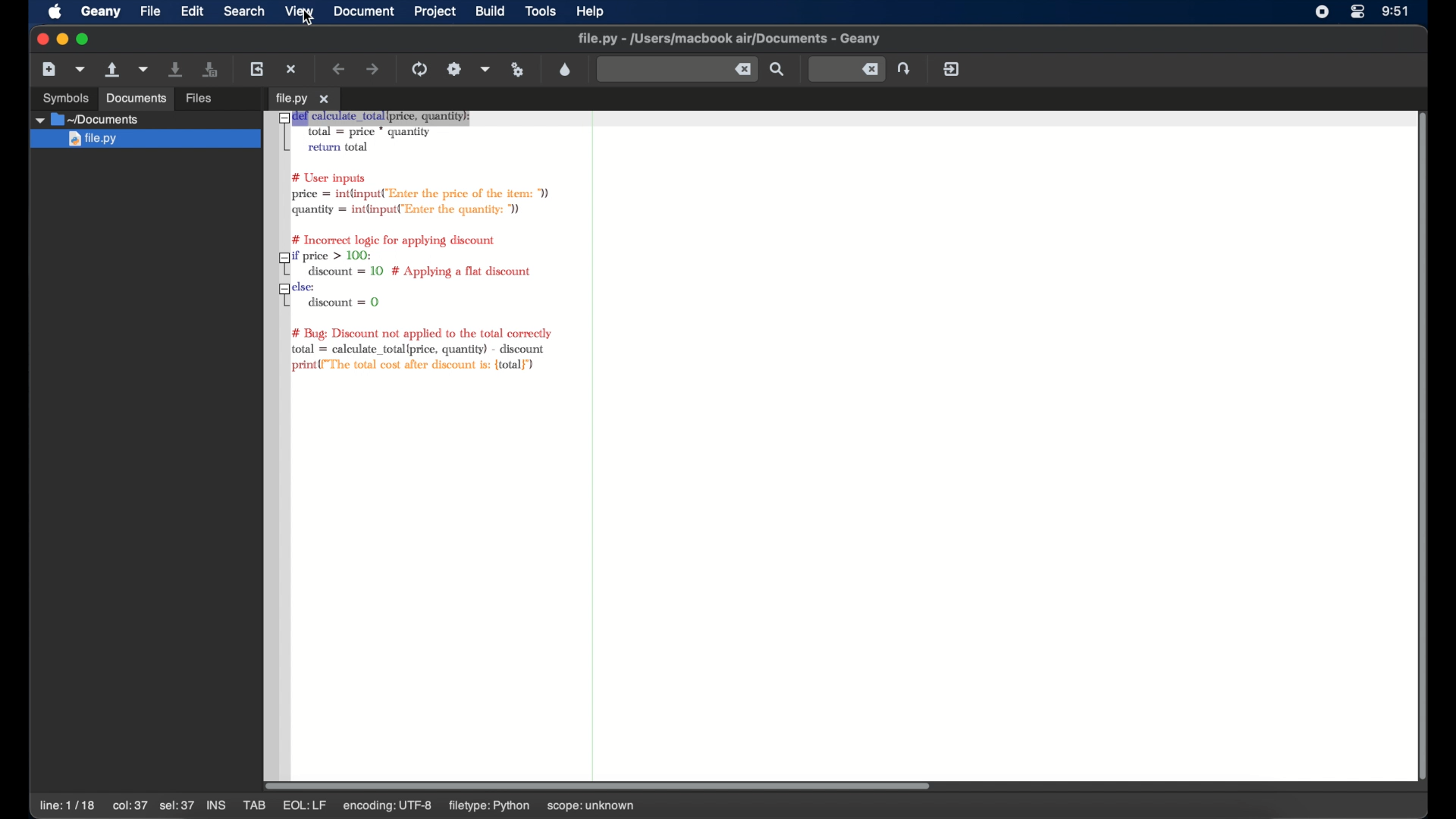 The height and width of the screenshot is (819, 1456). I want to click on documents, so click(136, 99).